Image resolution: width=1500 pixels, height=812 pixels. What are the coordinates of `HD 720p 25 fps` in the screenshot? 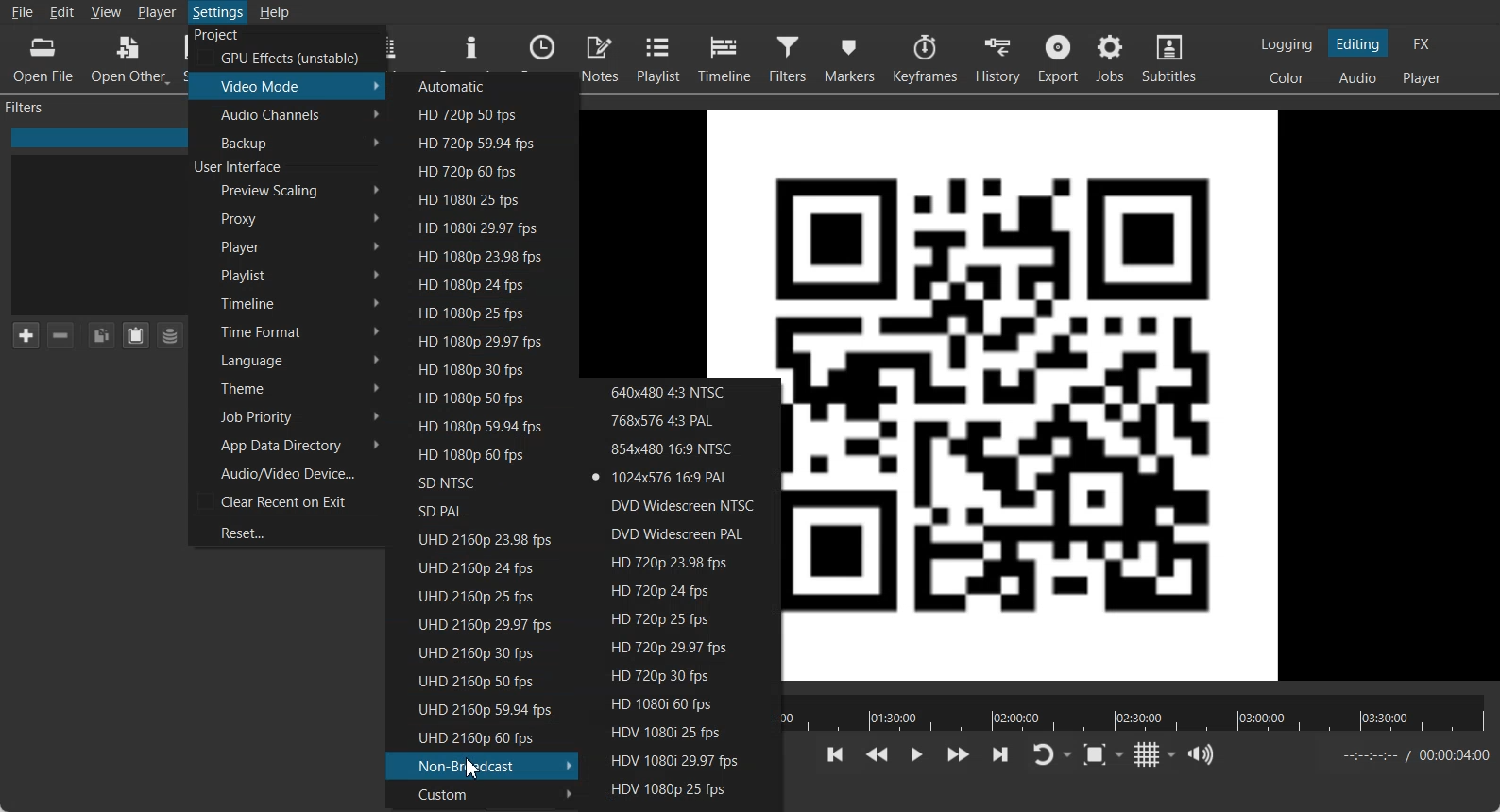 It's located at (685, 618).